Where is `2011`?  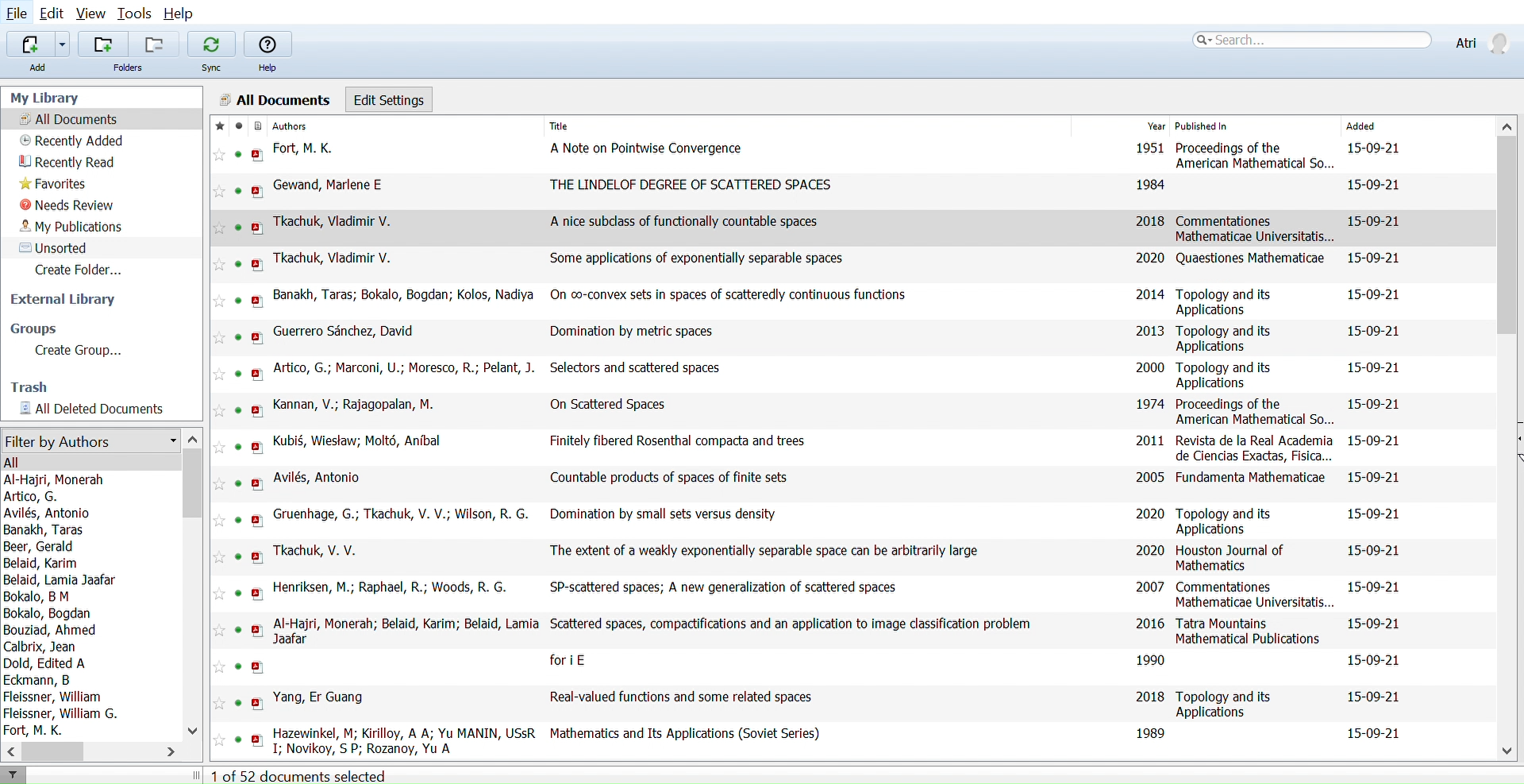 2011 is located at coordinates (1149, 440).